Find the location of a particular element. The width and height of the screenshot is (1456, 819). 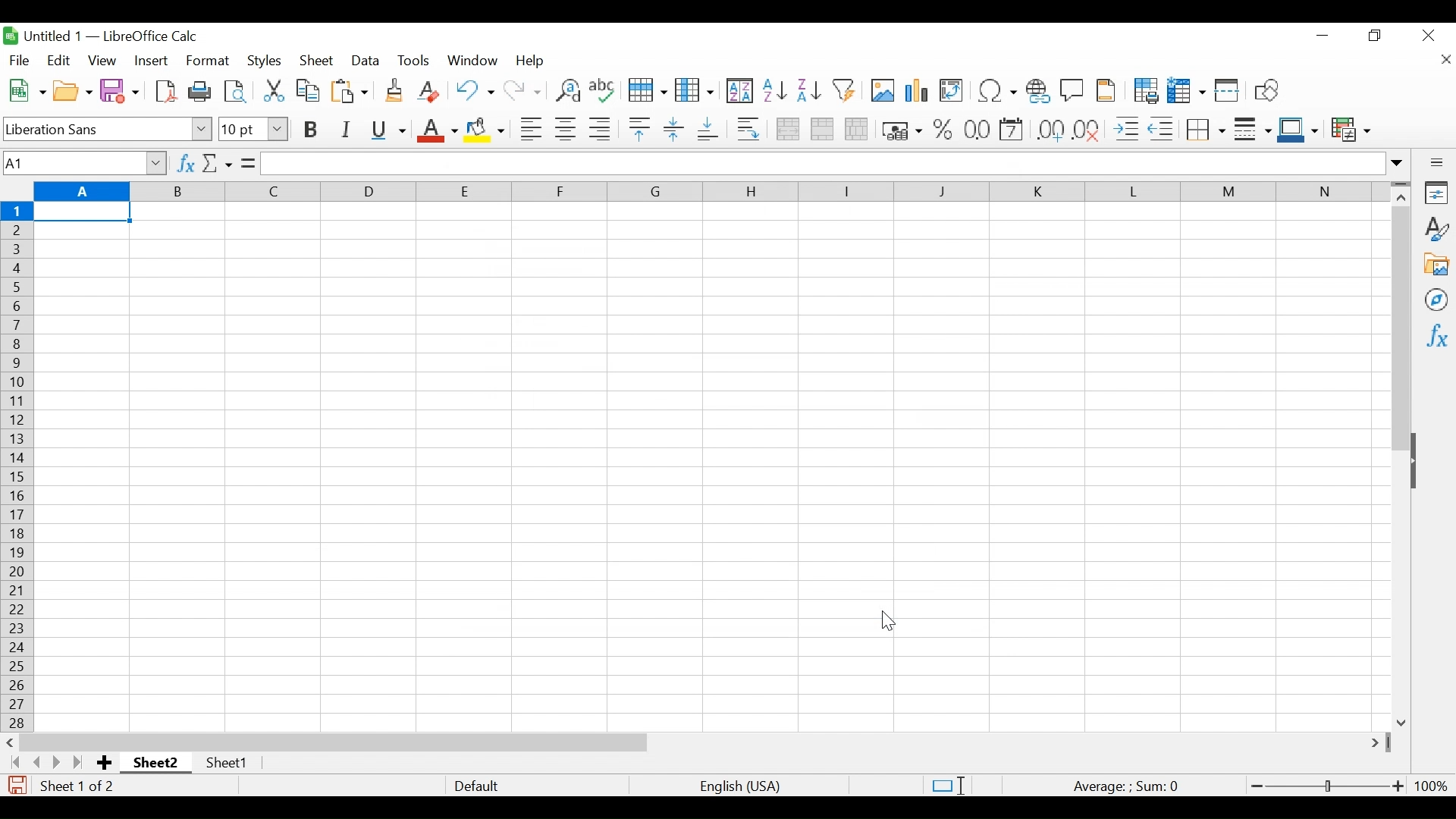

Zoom Slider is located at coordinates (1325, 783).